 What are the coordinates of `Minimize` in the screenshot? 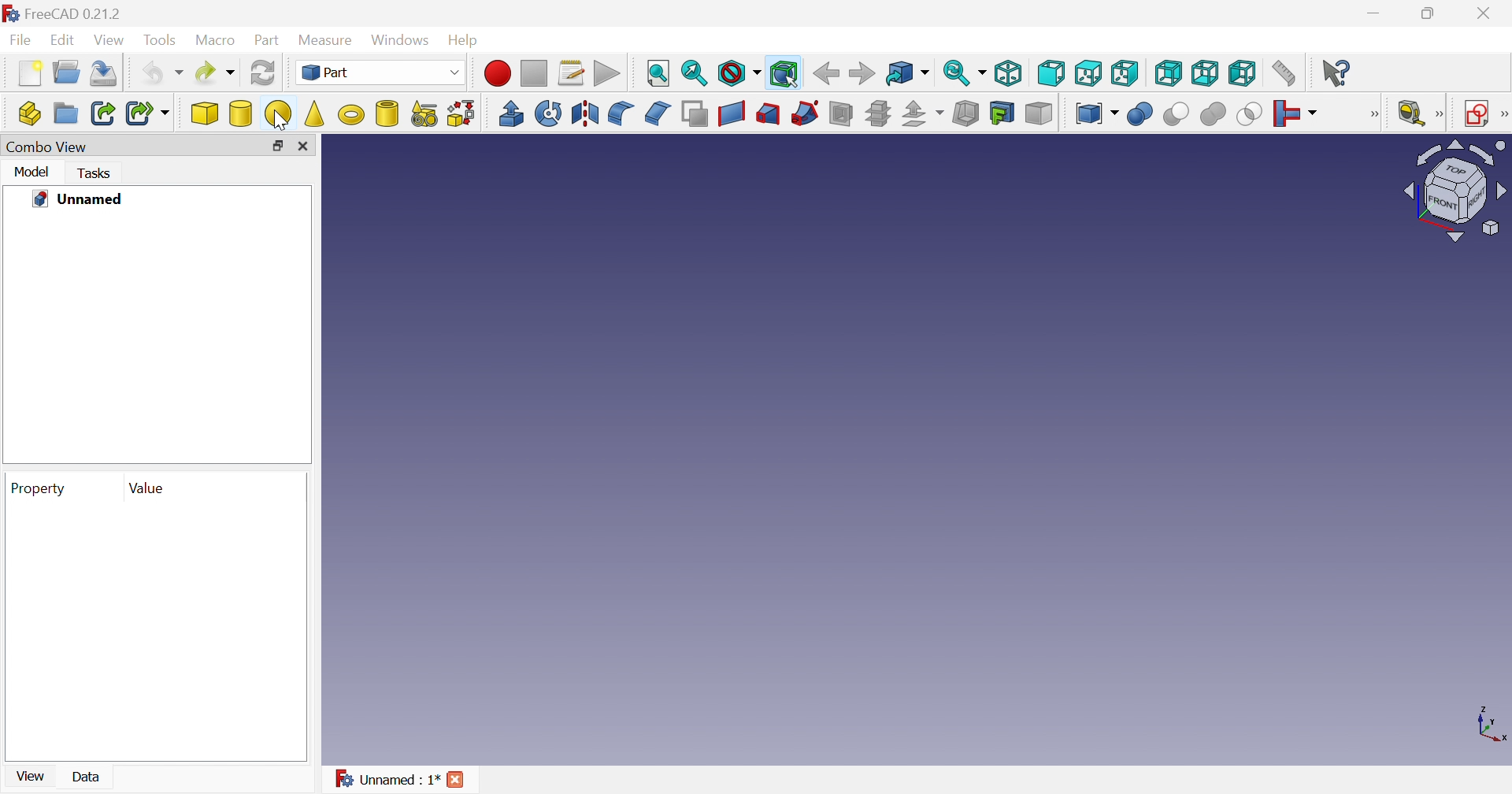 It's located at (1374, 14).